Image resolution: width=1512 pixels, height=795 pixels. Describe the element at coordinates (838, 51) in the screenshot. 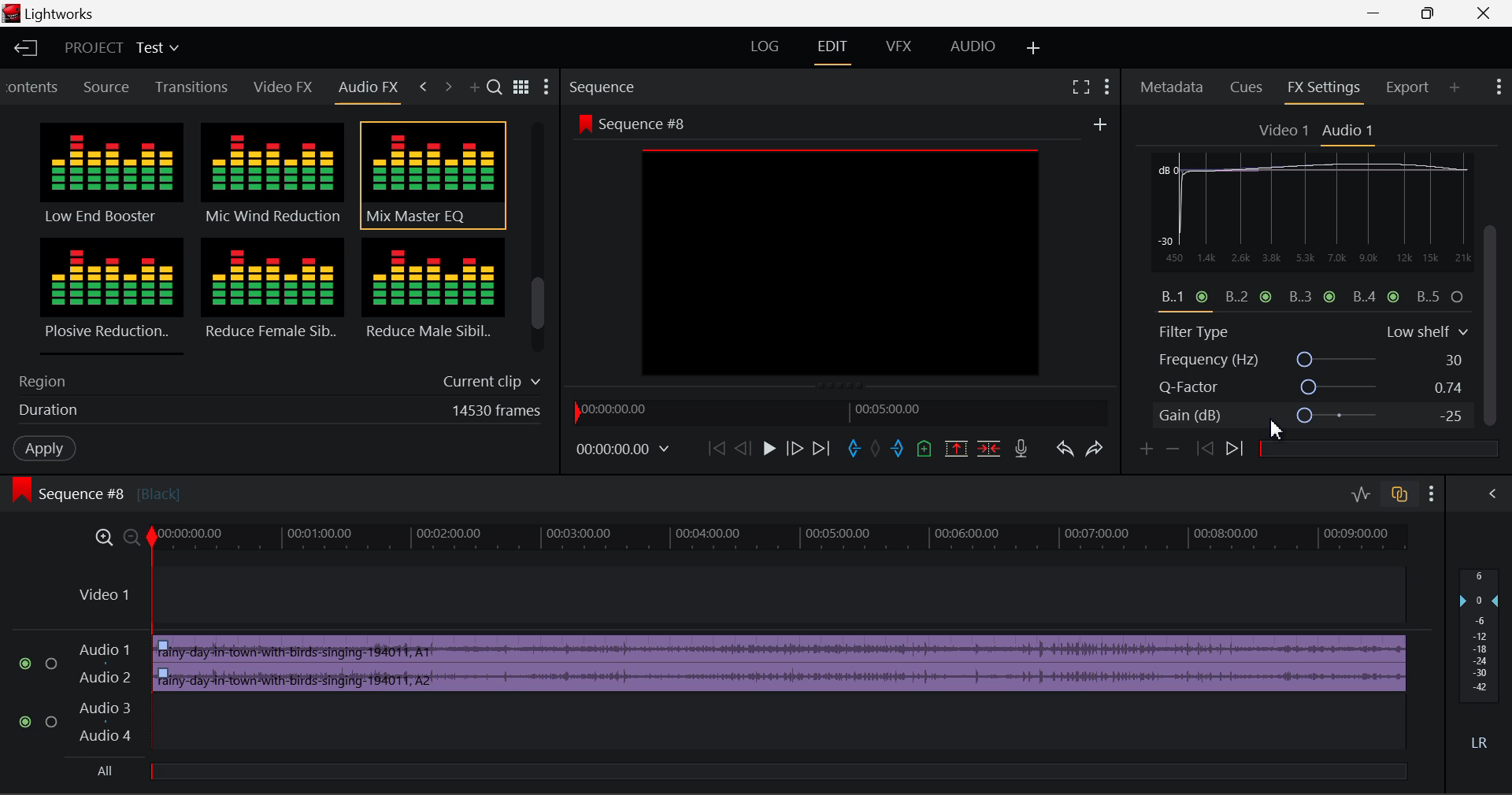

I see `EDIT Layout` at that location.